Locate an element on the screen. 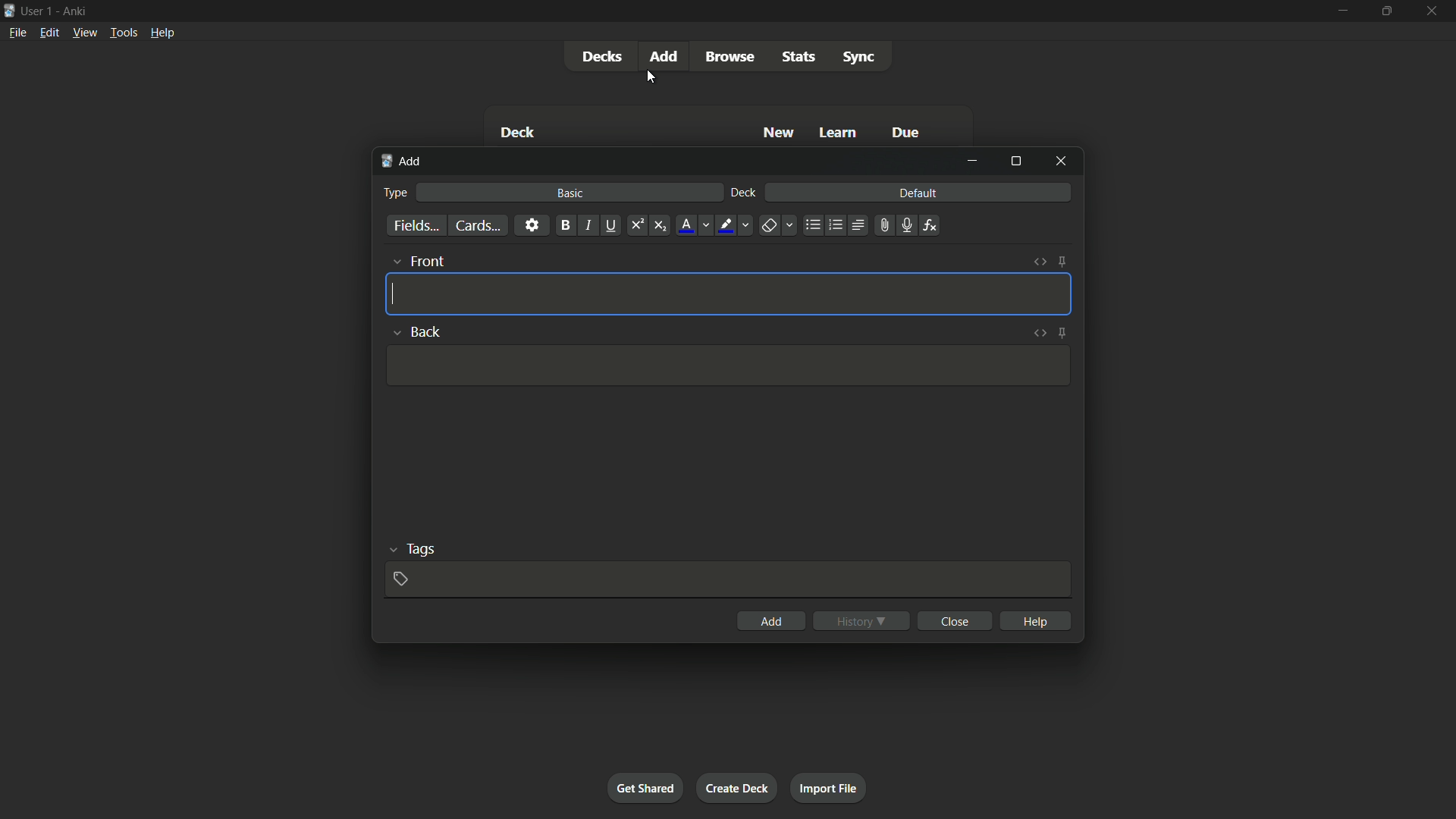 The width and height of the screenshot is (1456, 819). basic is located at coordinates (571, 193).